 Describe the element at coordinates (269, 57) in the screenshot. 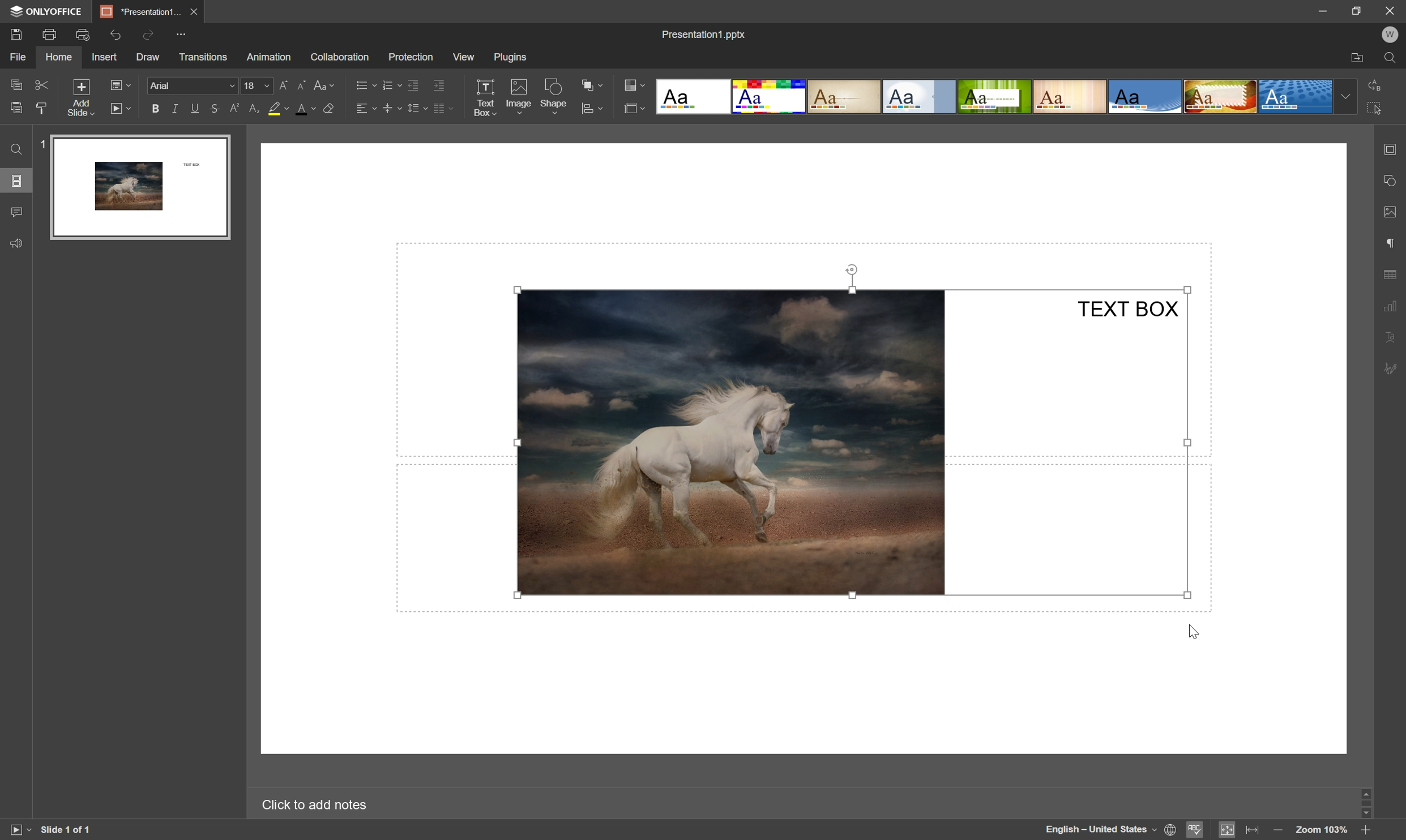

I see `animation` at that location.